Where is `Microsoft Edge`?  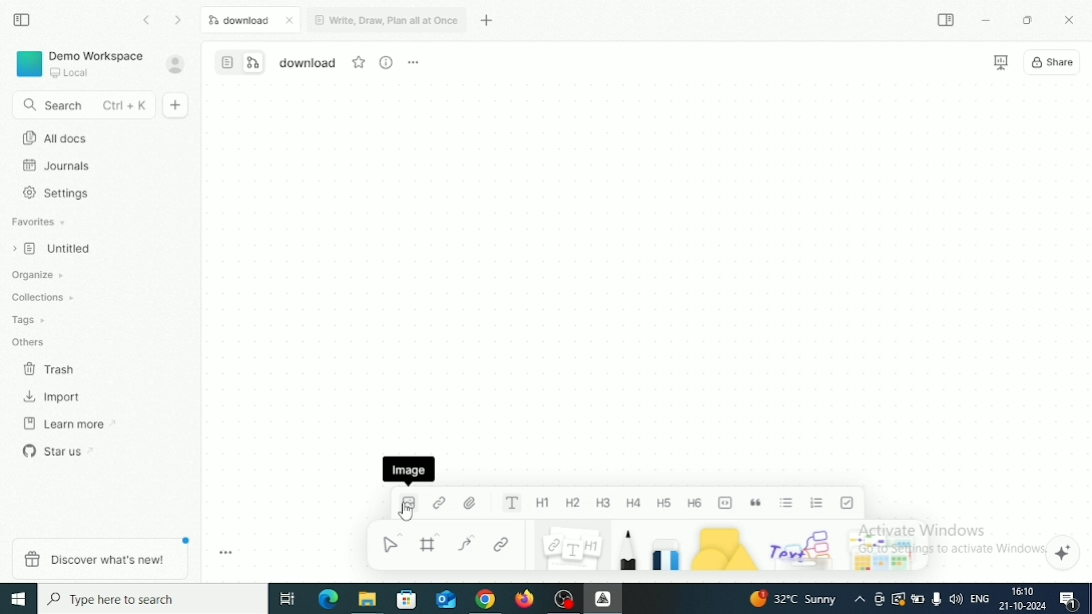
Microsoft Edge is located at coordinates (326, 600).